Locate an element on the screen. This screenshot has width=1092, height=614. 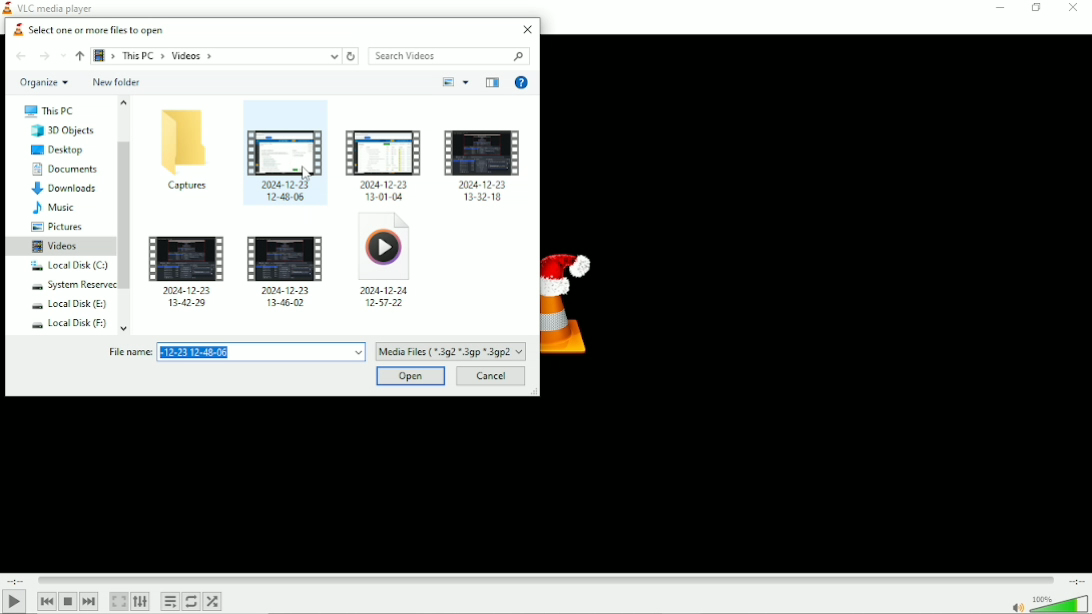
Show extended settings is located at coordinates (140, 601).